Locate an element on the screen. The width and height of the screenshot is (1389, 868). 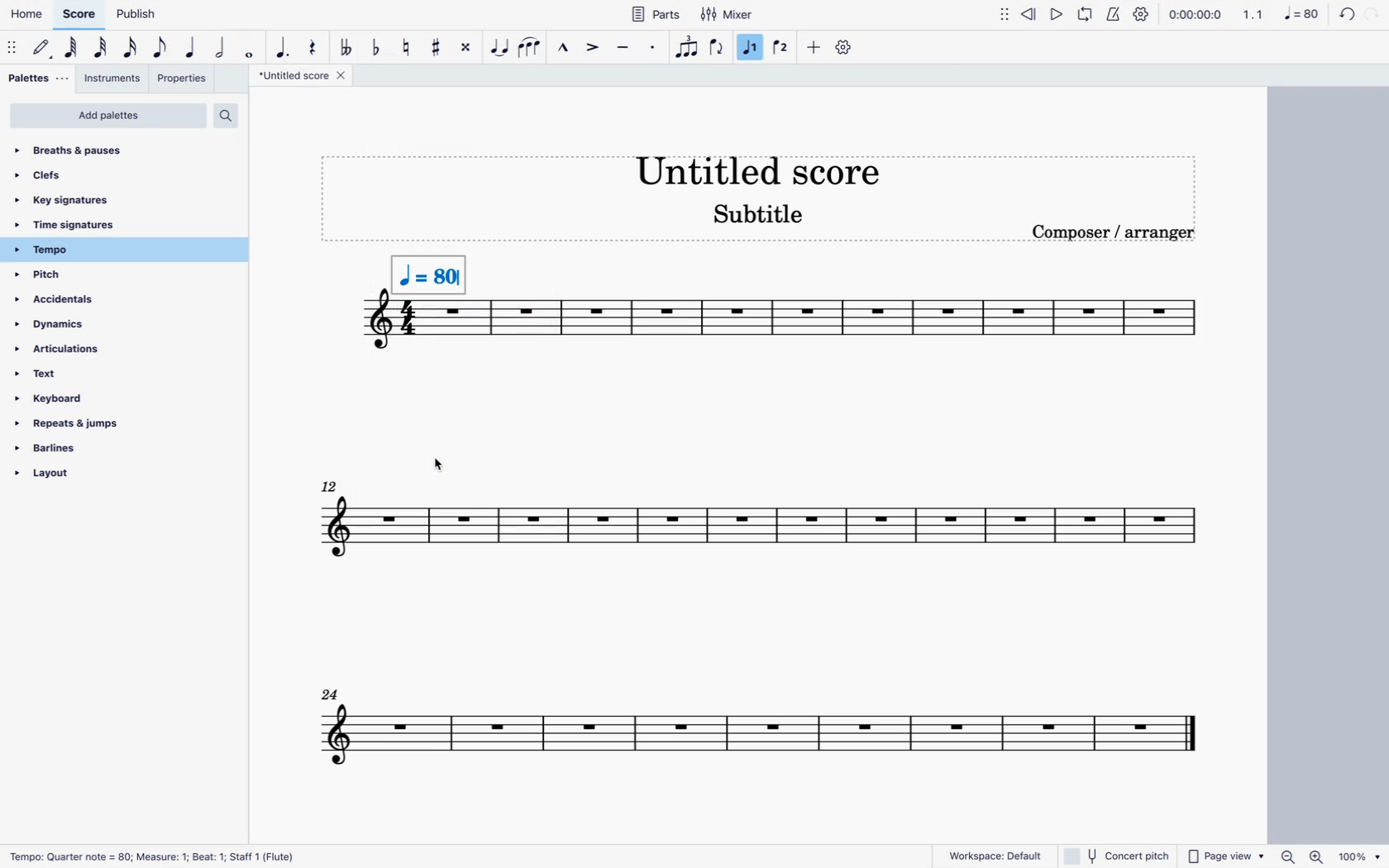
32nd note is located at coordinates (98, 47).